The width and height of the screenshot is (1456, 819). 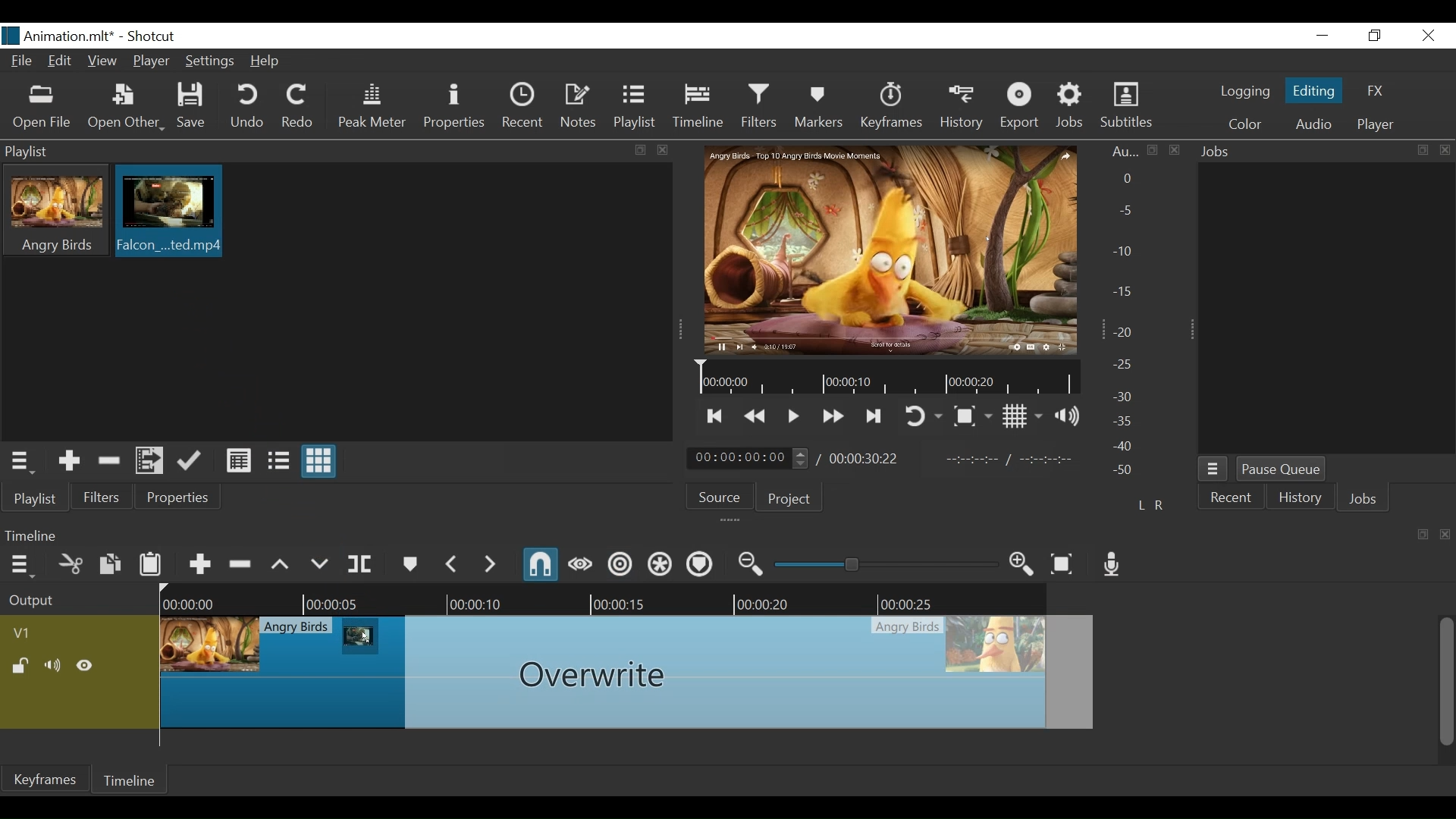 What do you see at coordinates (1301, 499) in the screenshot?
I see `History` at bounding box center [1301, 499].